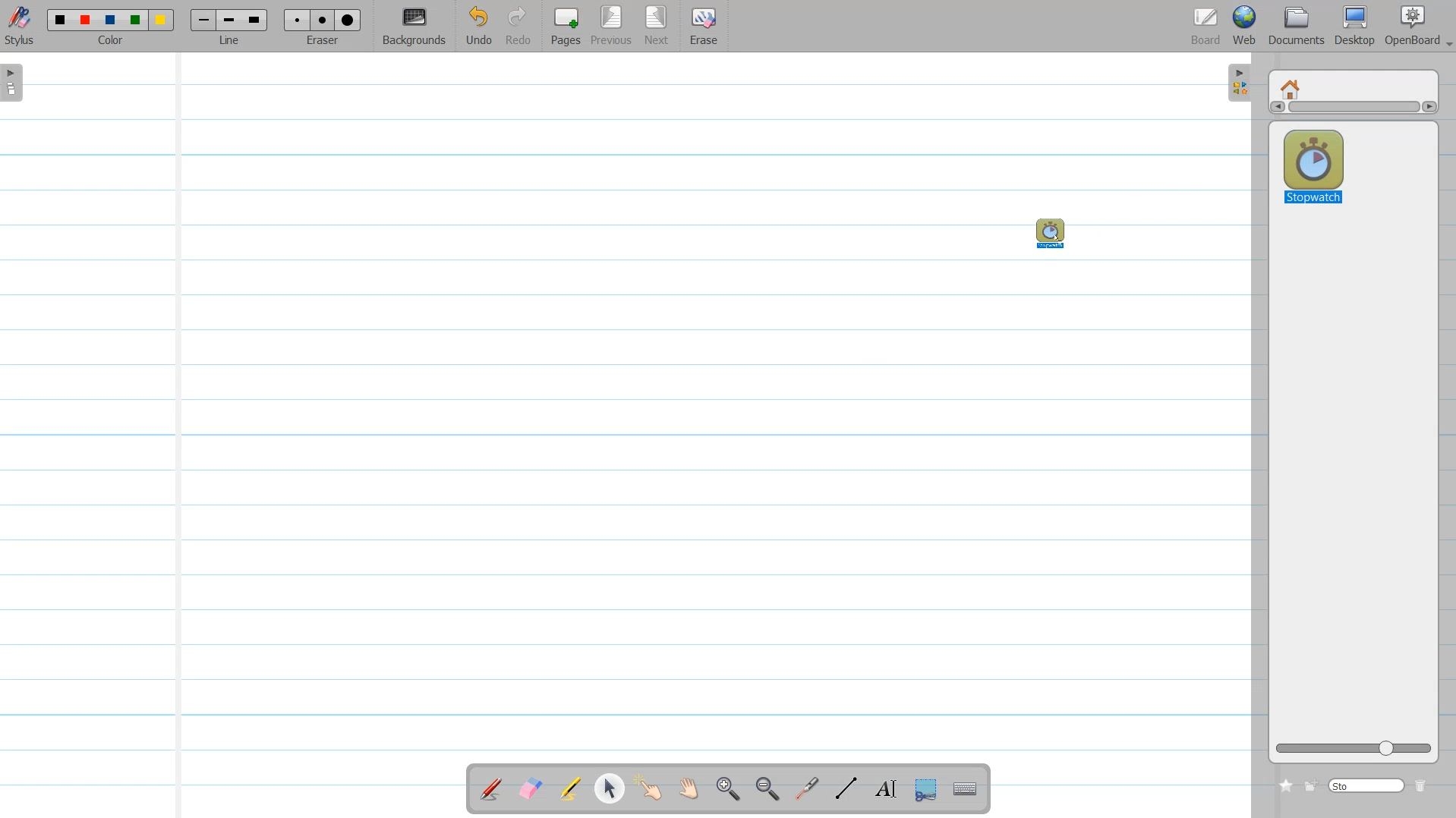 This screenshot has width=1456, height=818. What do you see at coordinates (571, 788) in the screenshot?
I see `Highlight` at bounding box center [571, 788].